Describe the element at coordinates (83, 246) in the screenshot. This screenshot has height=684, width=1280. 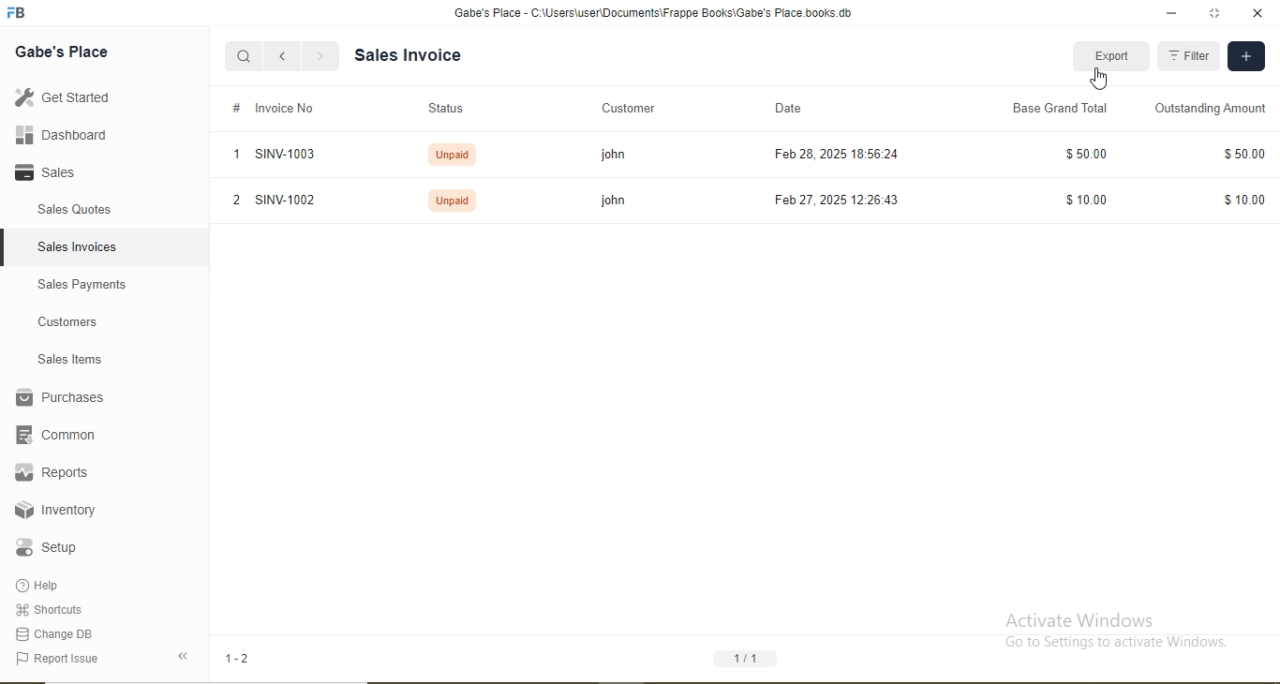
I see `Sales Invoices` at that location.